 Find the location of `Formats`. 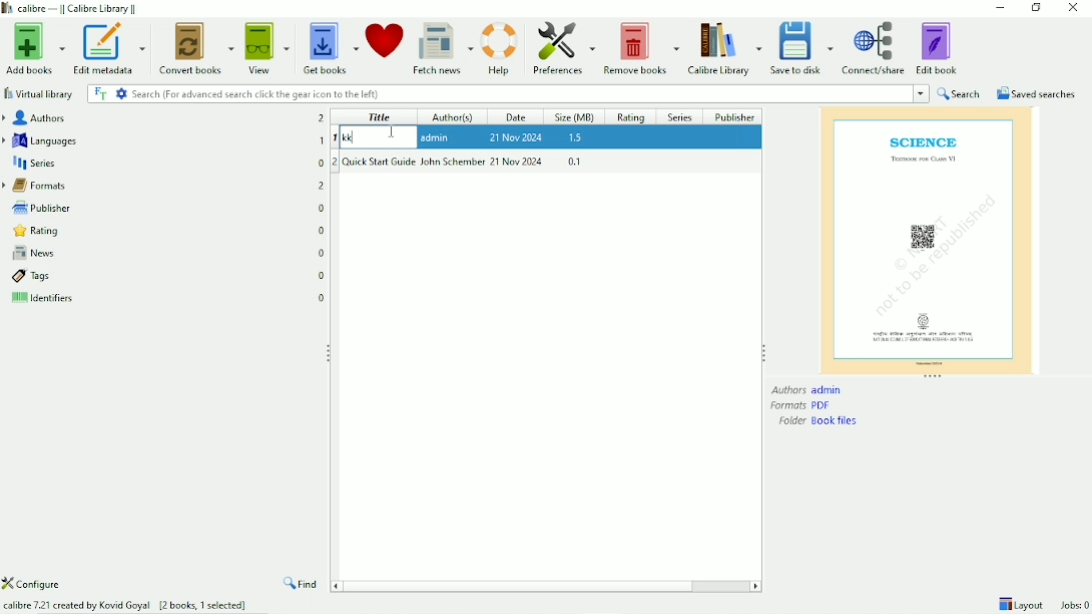

Formats is located at coordinates (38, 186).